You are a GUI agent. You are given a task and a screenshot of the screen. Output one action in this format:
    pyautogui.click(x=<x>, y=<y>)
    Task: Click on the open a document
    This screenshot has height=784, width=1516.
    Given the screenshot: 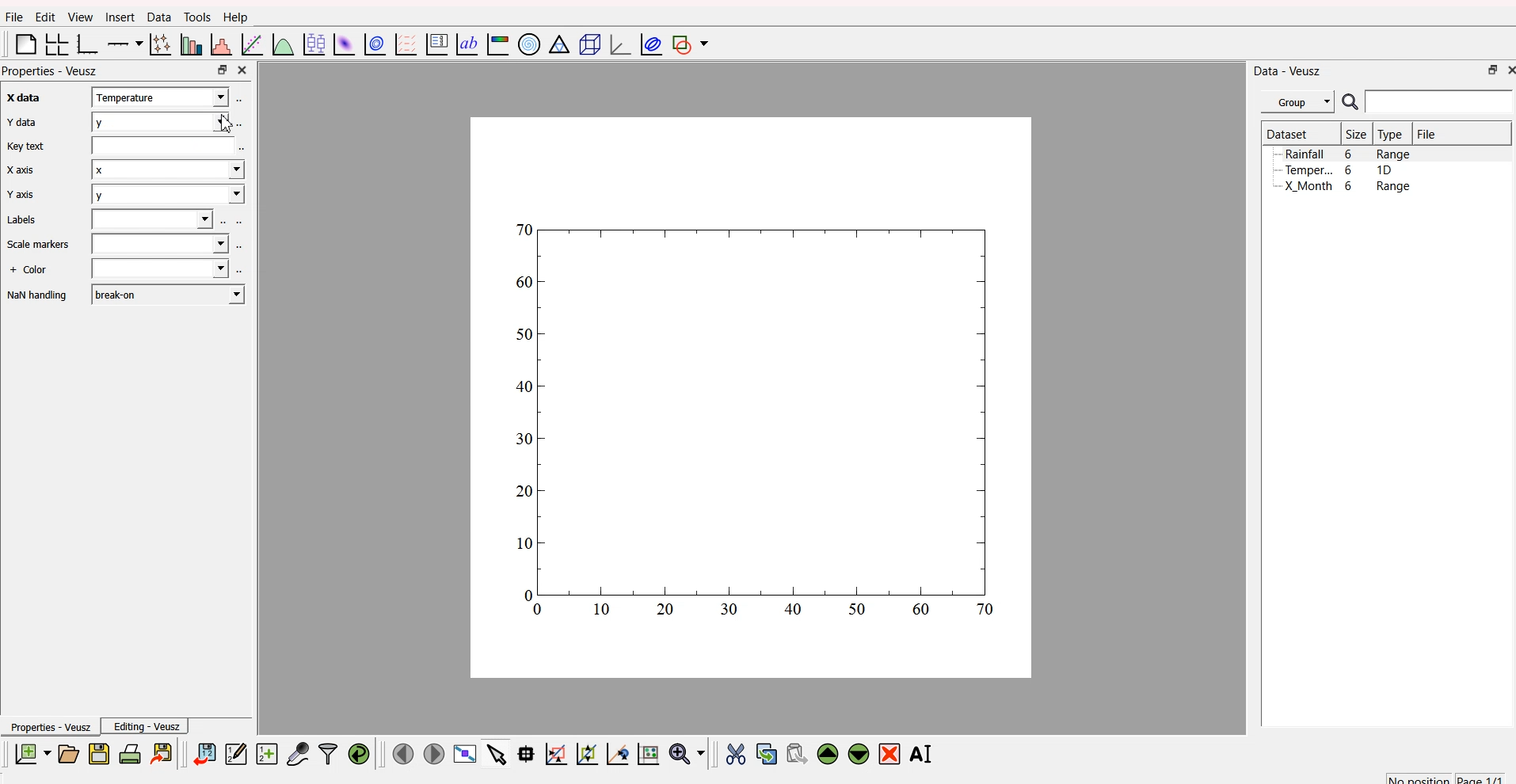 What is the action you would take?
    pyautogui.click(x=67, y=752)
    